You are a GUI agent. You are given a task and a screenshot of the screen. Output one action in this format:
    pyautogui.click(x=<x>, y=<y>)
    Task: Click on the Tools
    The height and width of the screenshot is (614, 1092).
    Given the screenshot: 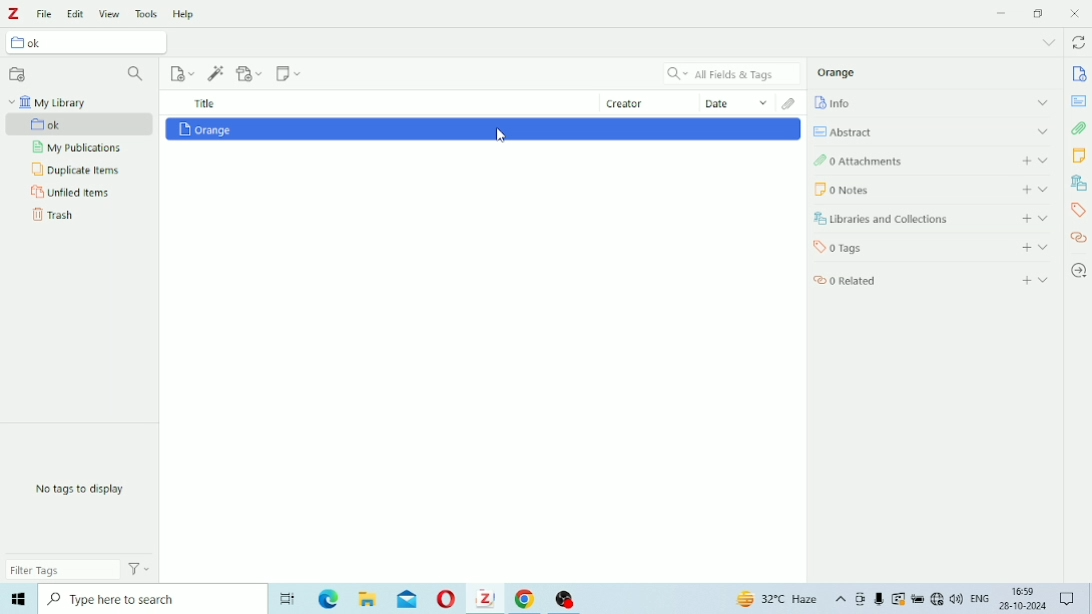 What is the action you would take?
    pyautogui.click(x=147, y=13)
    